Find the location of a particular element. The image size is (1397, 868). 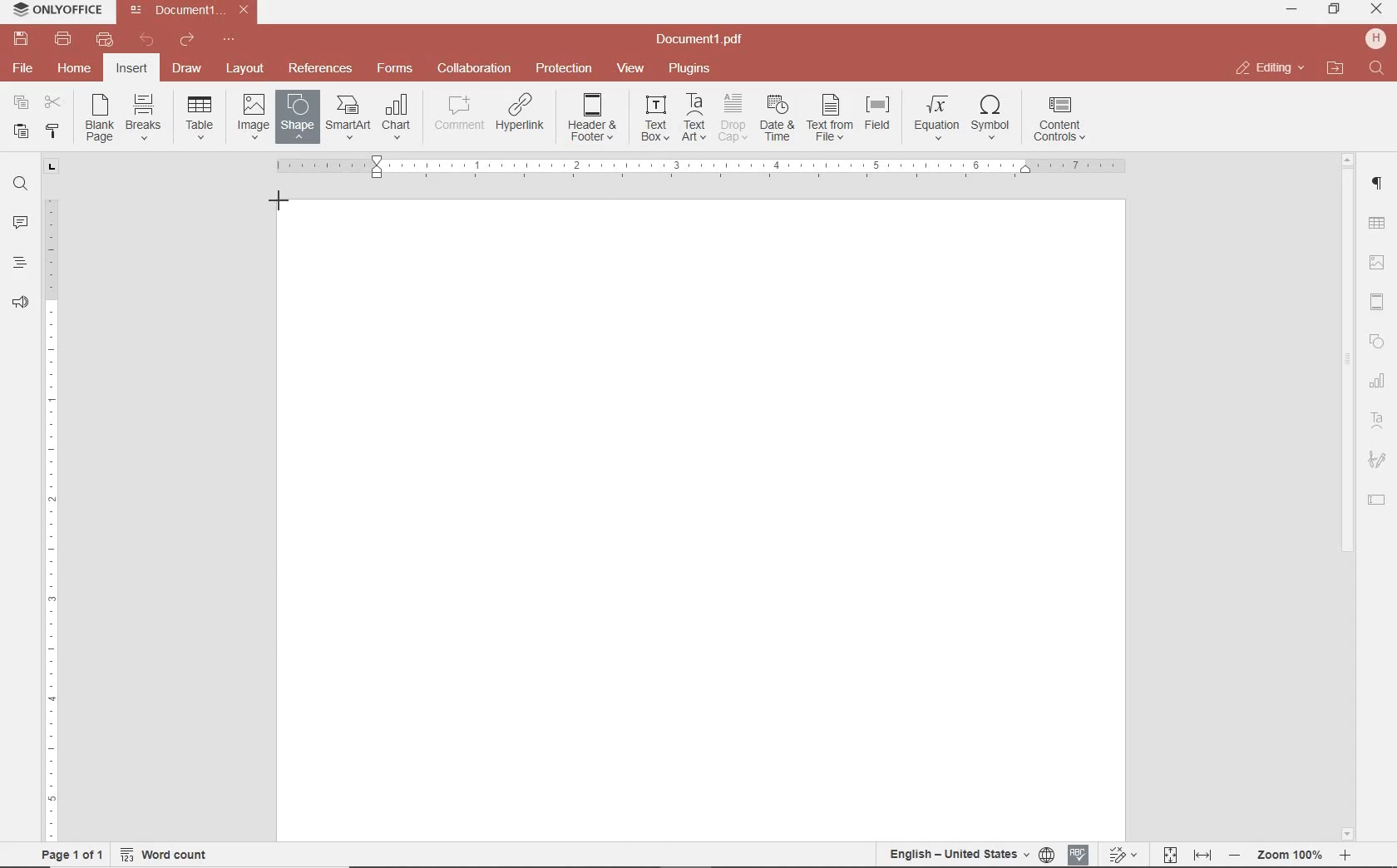

set document language is located at coordinates (970, 854).